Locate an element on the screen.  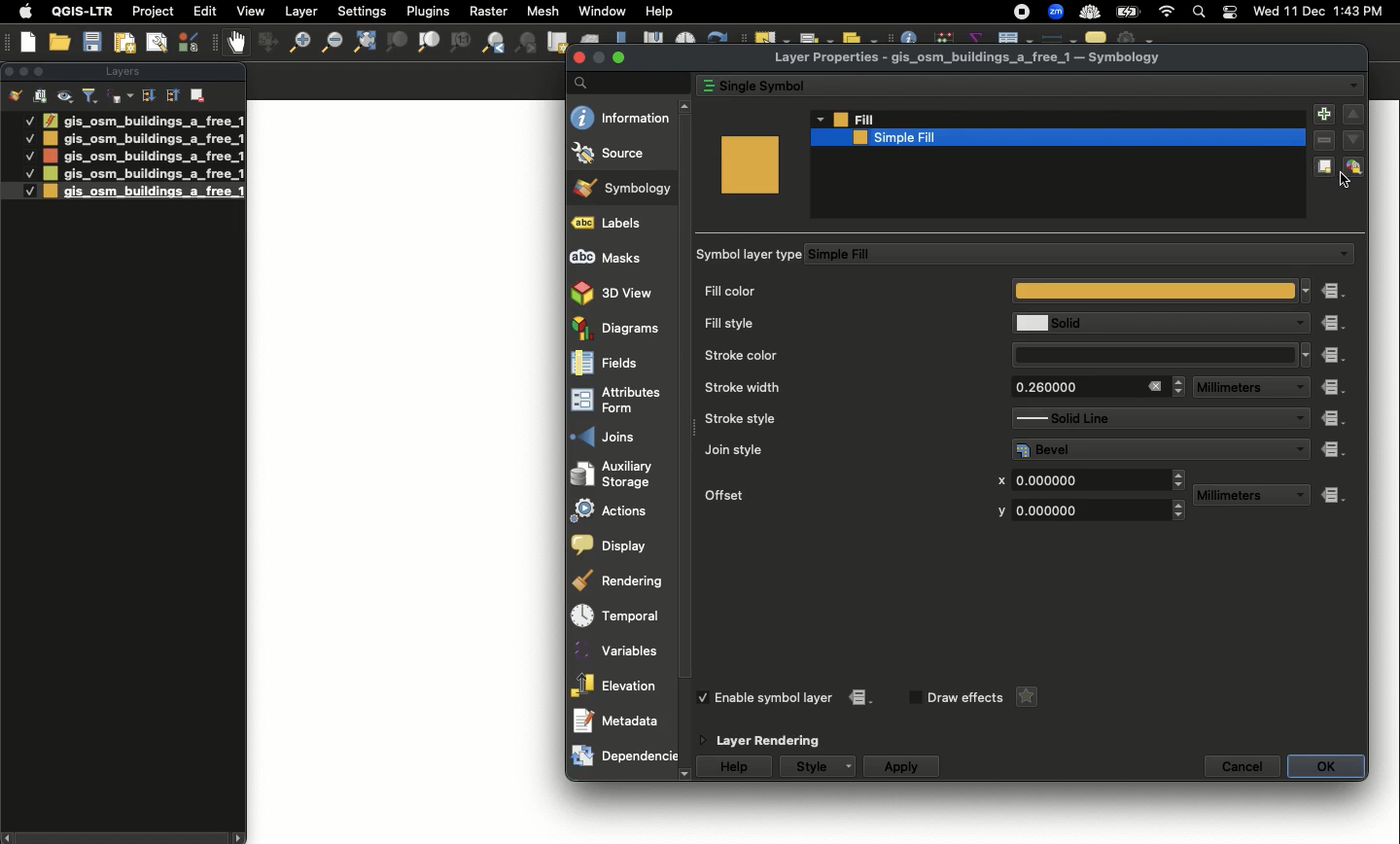
Solid Line is located at coordinates (1142, 418).